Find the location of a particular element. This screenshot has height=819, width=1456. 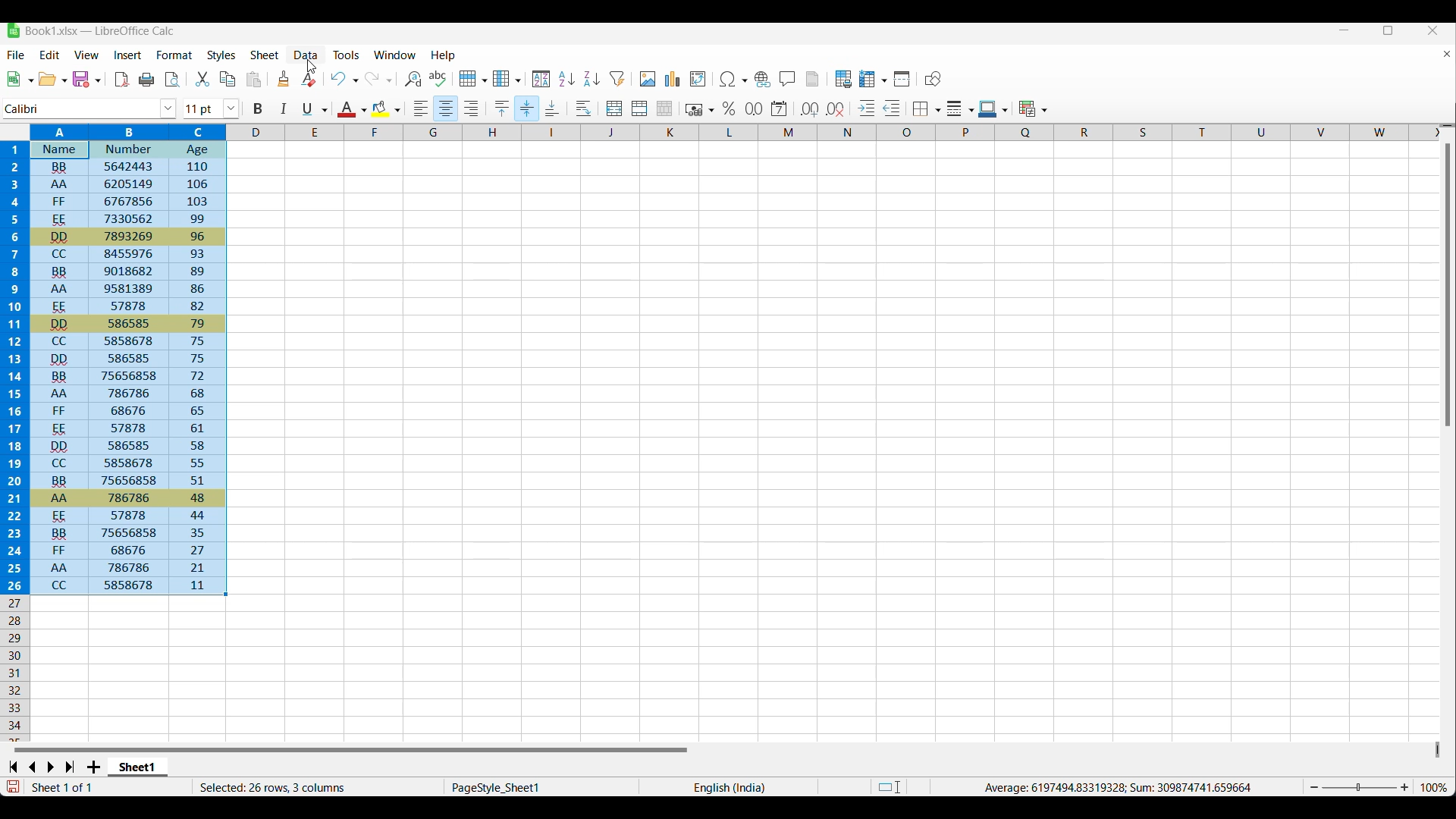

Format as currency is located at coordinates (698, 109).